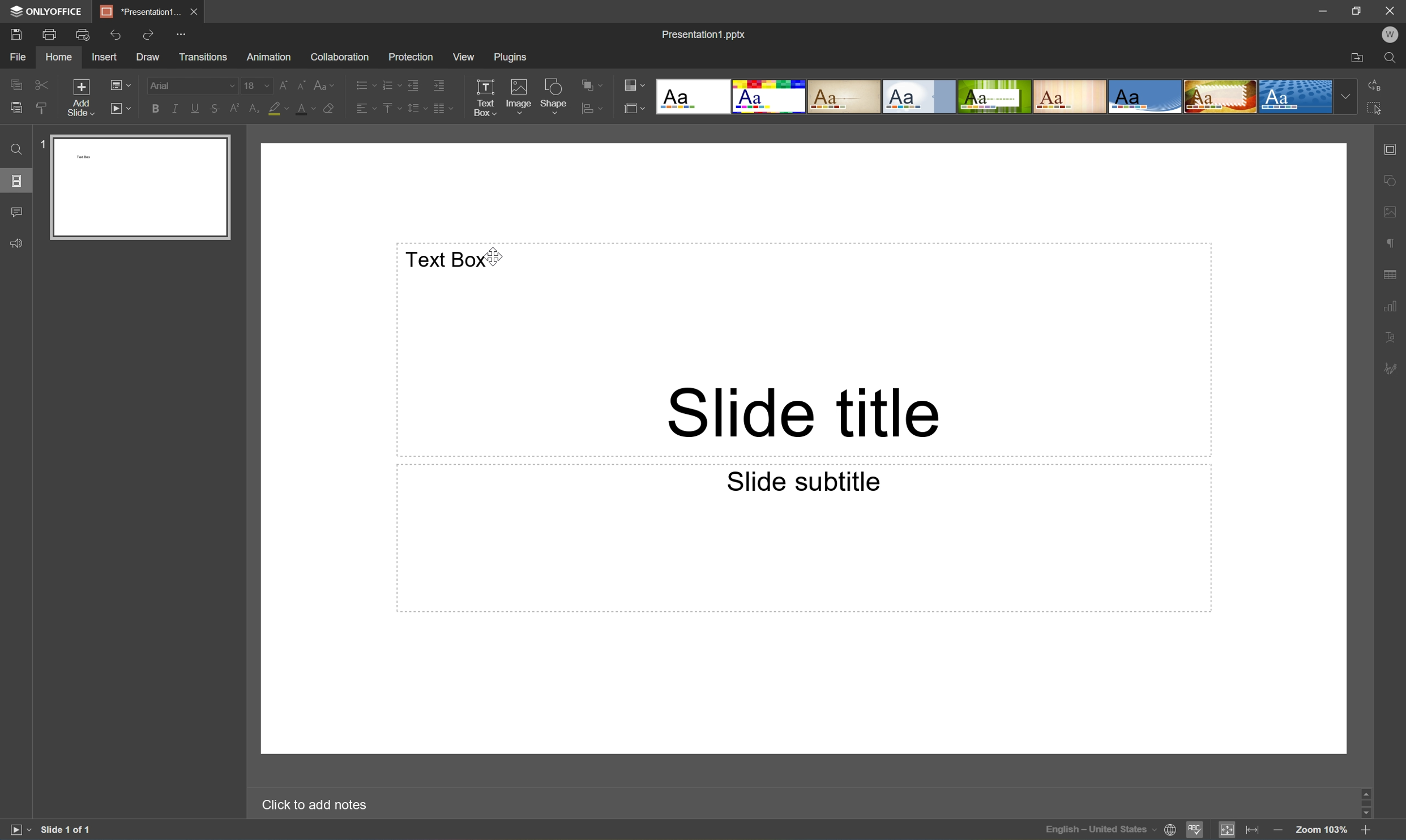 The height and width of the screenshot is (840, 1406). What do you see at coordinates (140, 12) in the screenshot?
I see `*Presentation1...` at bounding box center [140, 12].